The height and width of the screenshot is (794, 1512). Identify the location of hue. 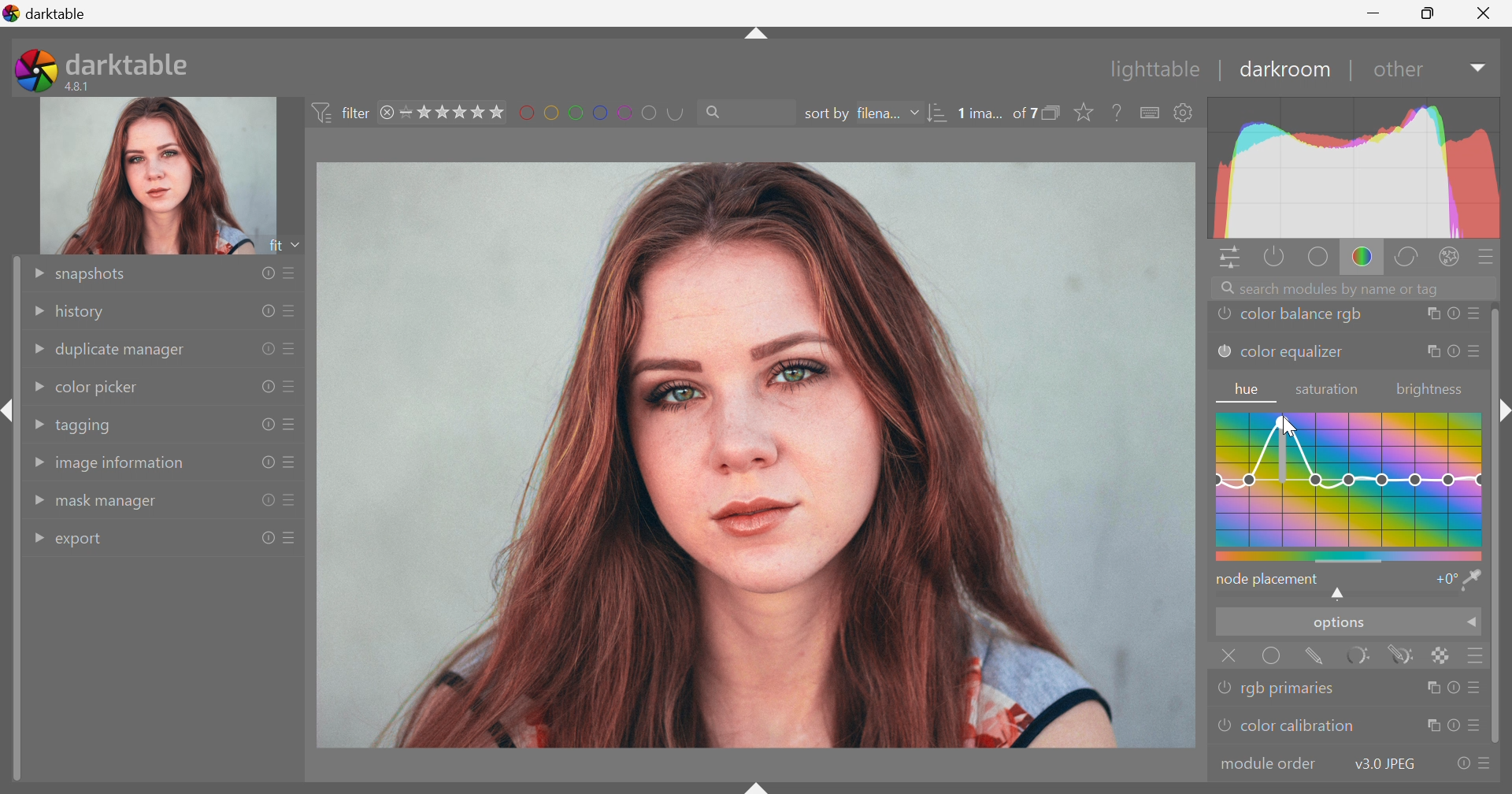
(1350, 484).